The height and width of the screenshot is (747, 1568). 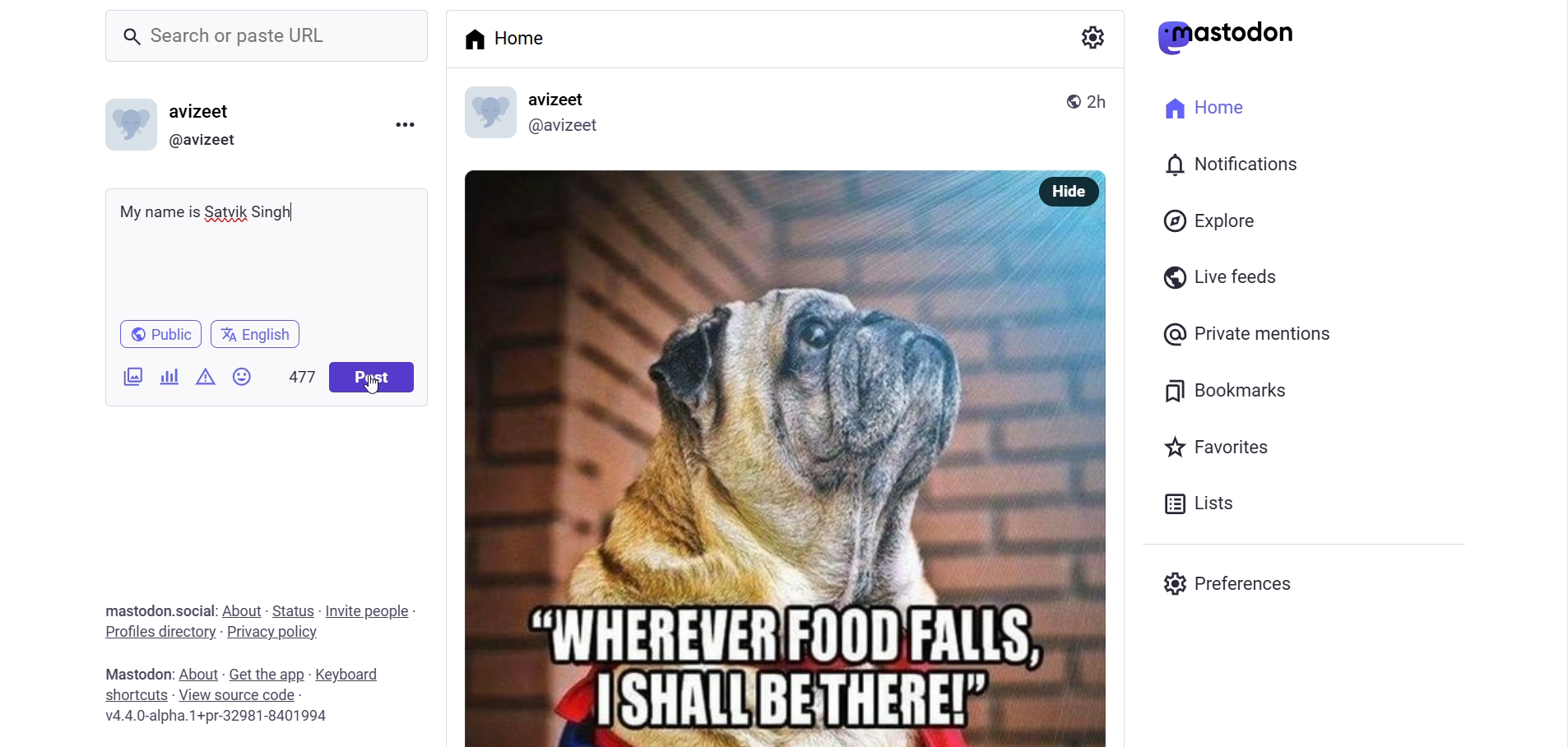 What do you see at coordinates (1225, 281) in the screenshot?
I see `Live feeds` at bounding box center [1225, 281].